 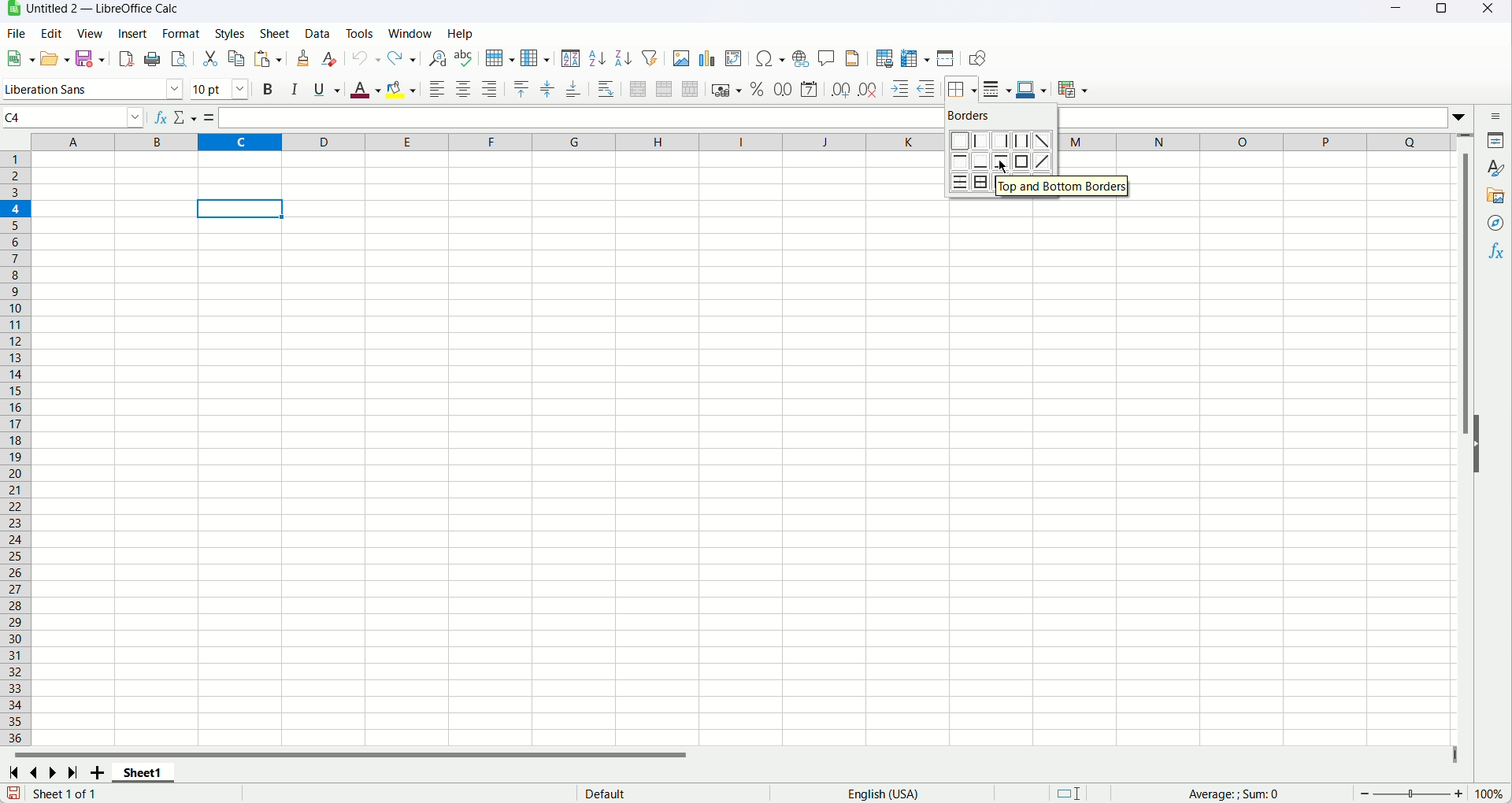 I want to click on Insert, so click(x=132, y=34).